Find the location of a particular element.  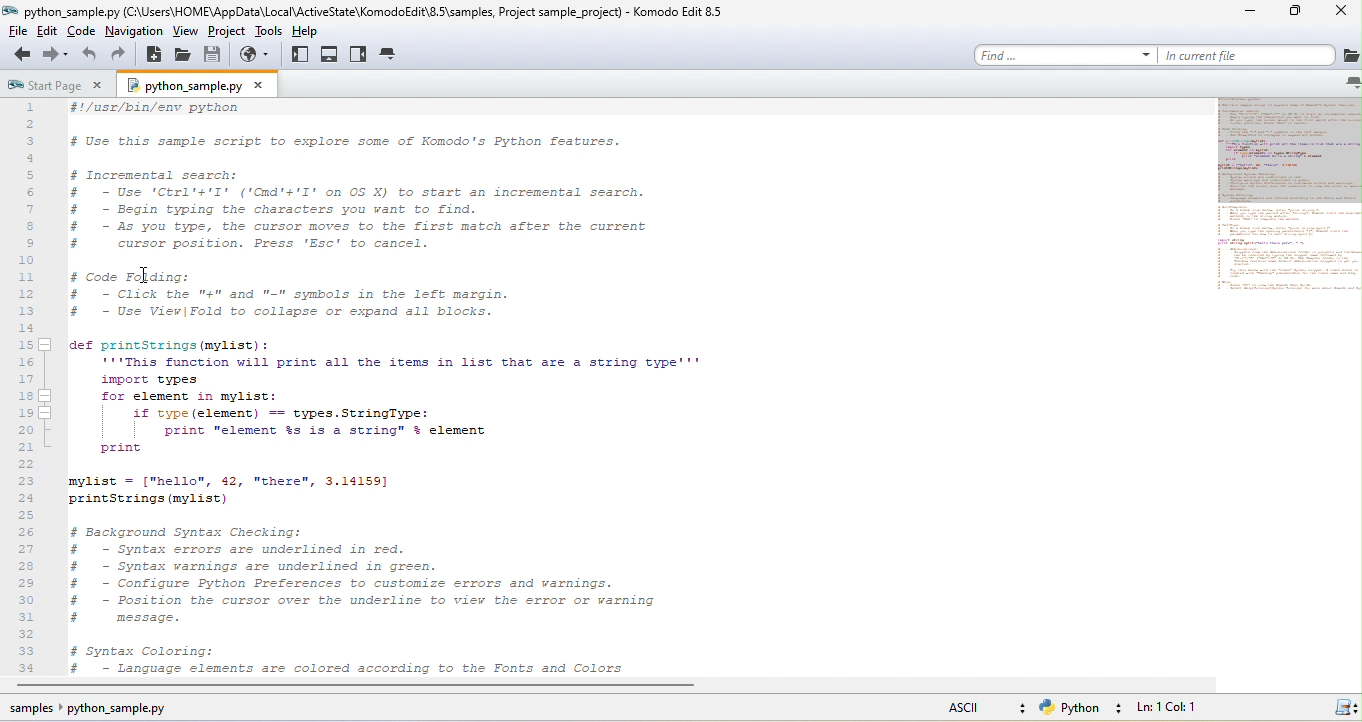

left pane is located at coordinates (298, 58).